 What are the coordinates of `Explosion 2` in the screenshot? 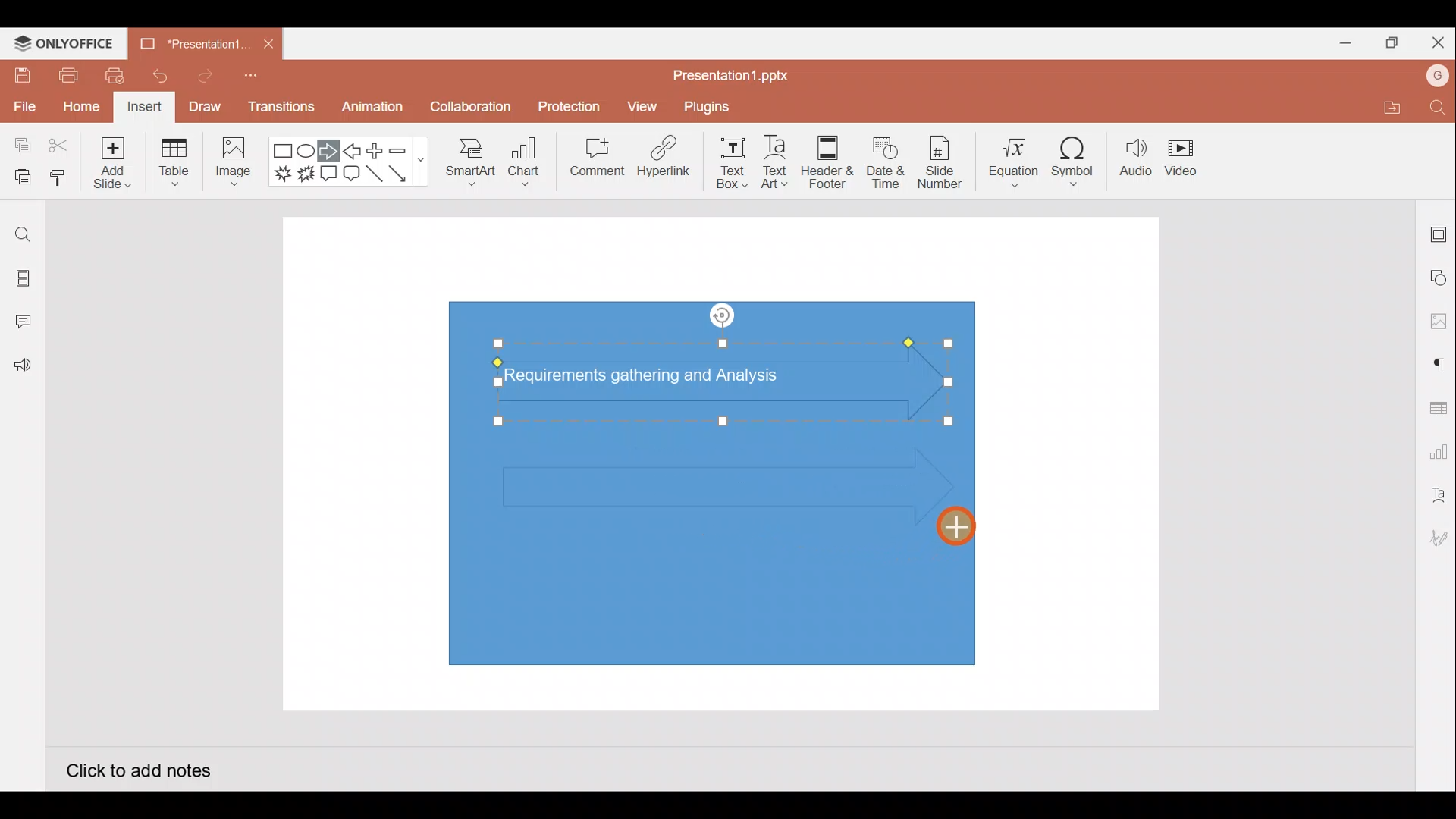 It's located at (306, 175).